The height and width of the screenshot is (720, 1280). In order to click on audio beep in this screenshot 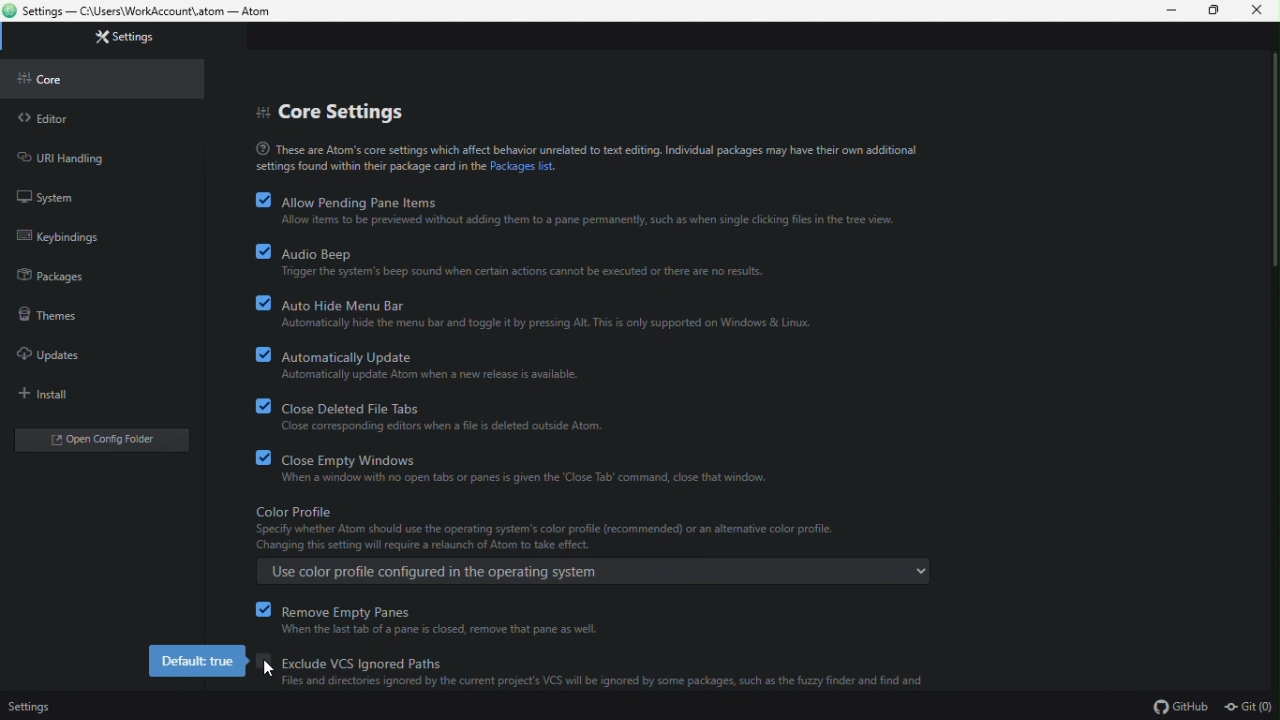, I will do `click(603, 262)`.